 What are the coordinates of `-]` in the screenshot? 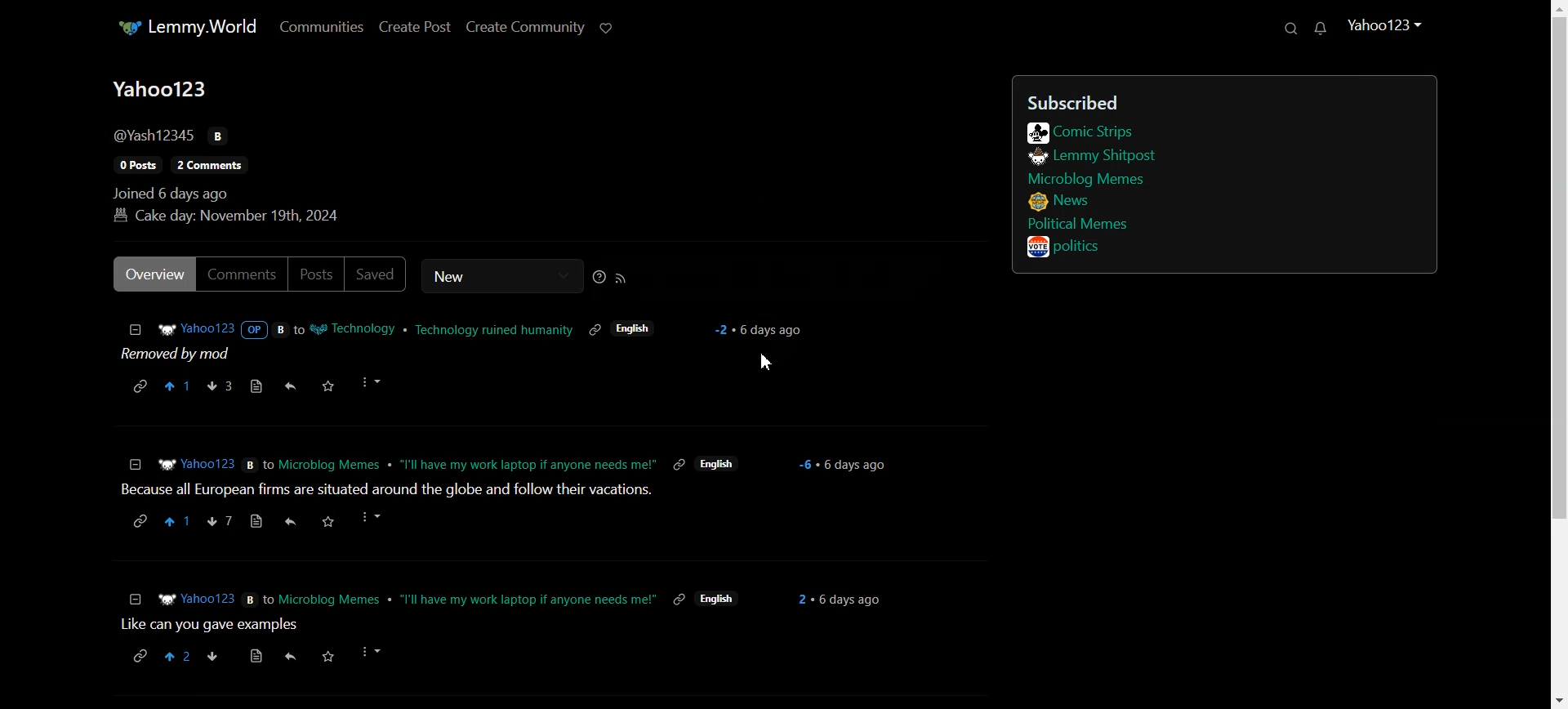 It's located at (136, 465).